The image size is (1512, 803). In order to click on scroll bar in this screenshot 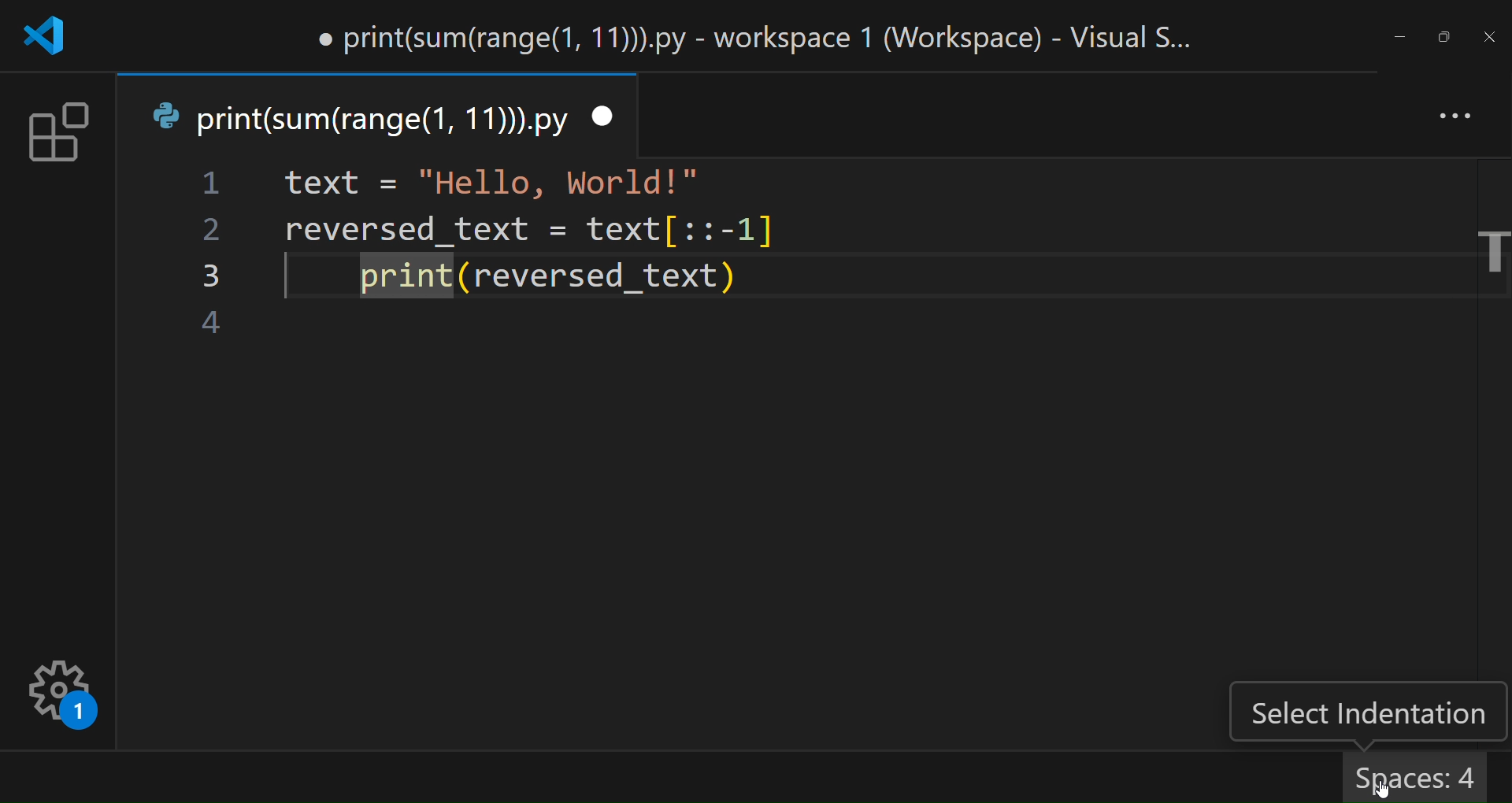, I will do `click(1491, 413)`.